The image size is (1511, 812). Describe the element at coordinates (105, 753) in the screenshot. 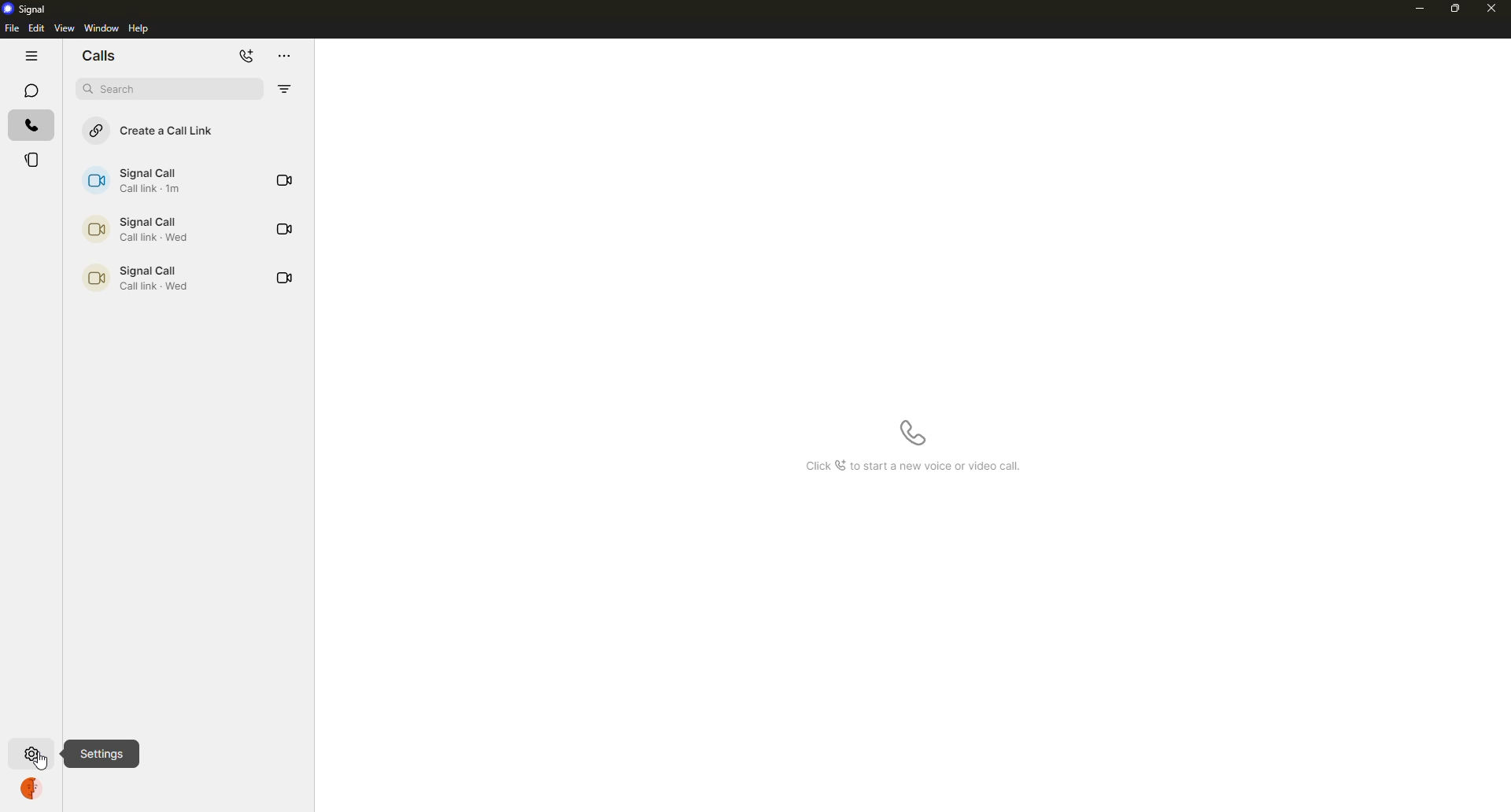

I see `settings` at that location.